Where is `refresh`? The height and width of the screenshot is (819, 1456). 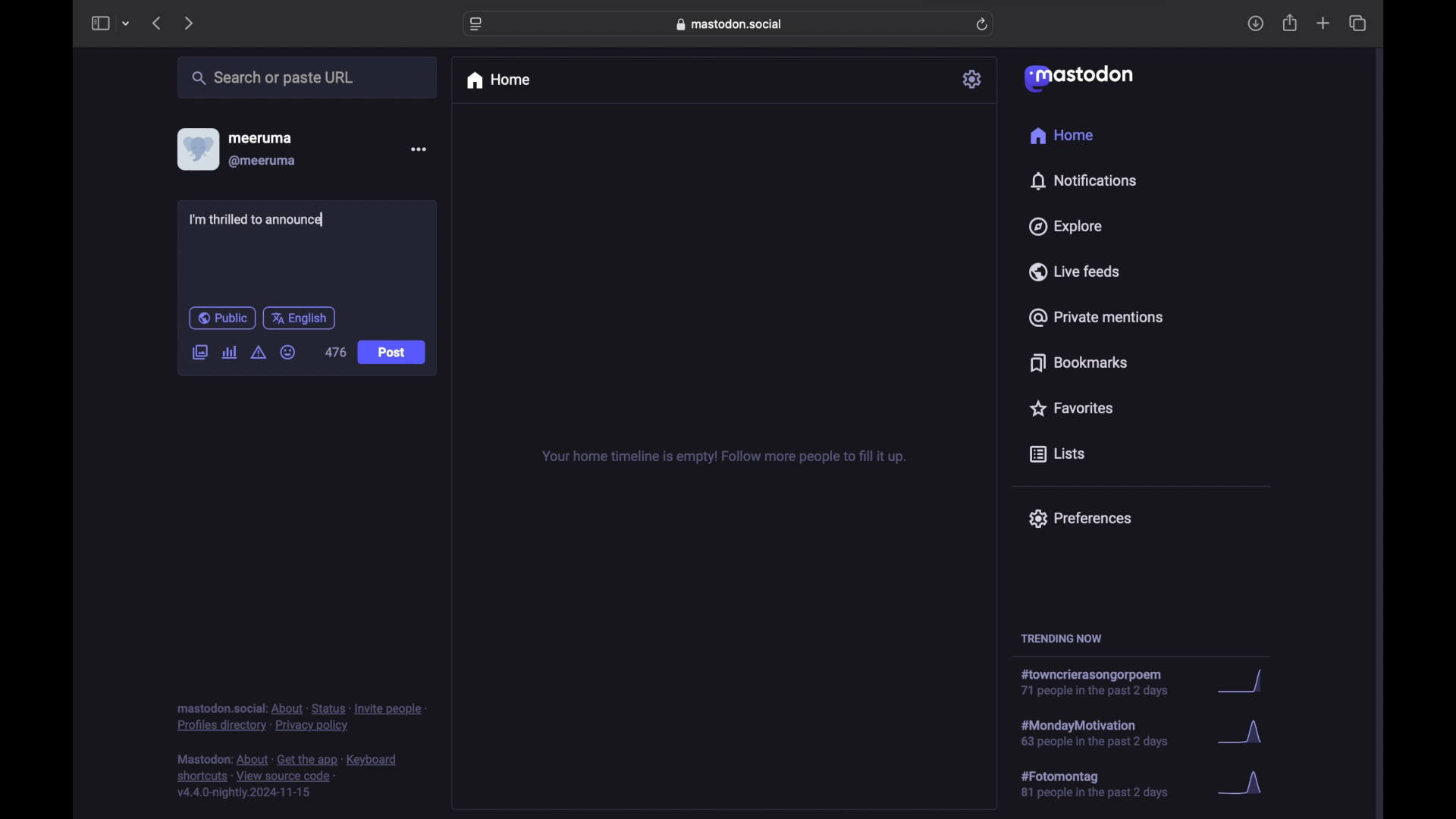
refresh is located at coordinates (982, 24).